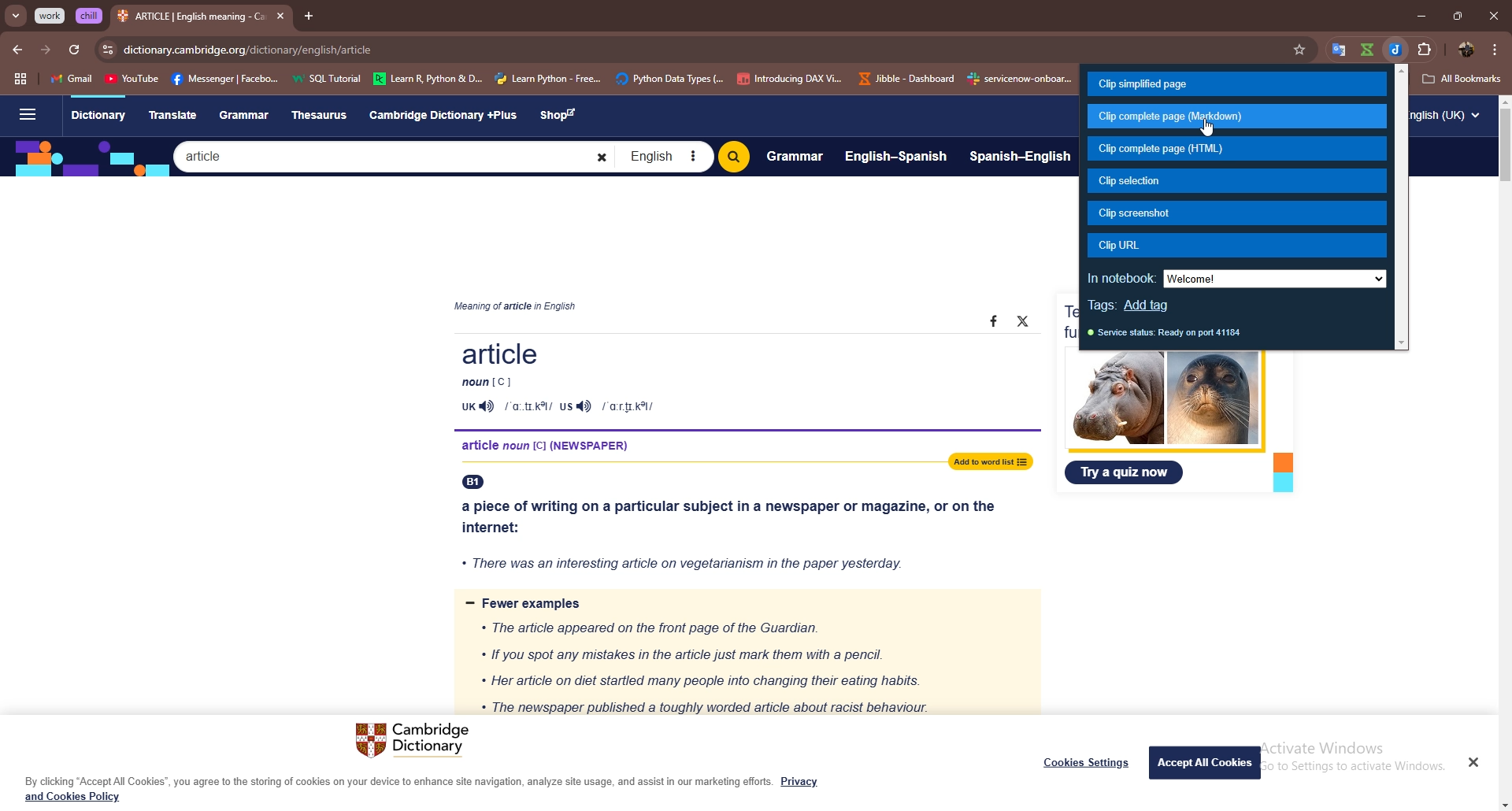 The width and height of the screenshot is (1512, 811). What do you see at coordinates (1473, 761) in the screenshot?
I see `Close` at bounding box center [1473, 761].